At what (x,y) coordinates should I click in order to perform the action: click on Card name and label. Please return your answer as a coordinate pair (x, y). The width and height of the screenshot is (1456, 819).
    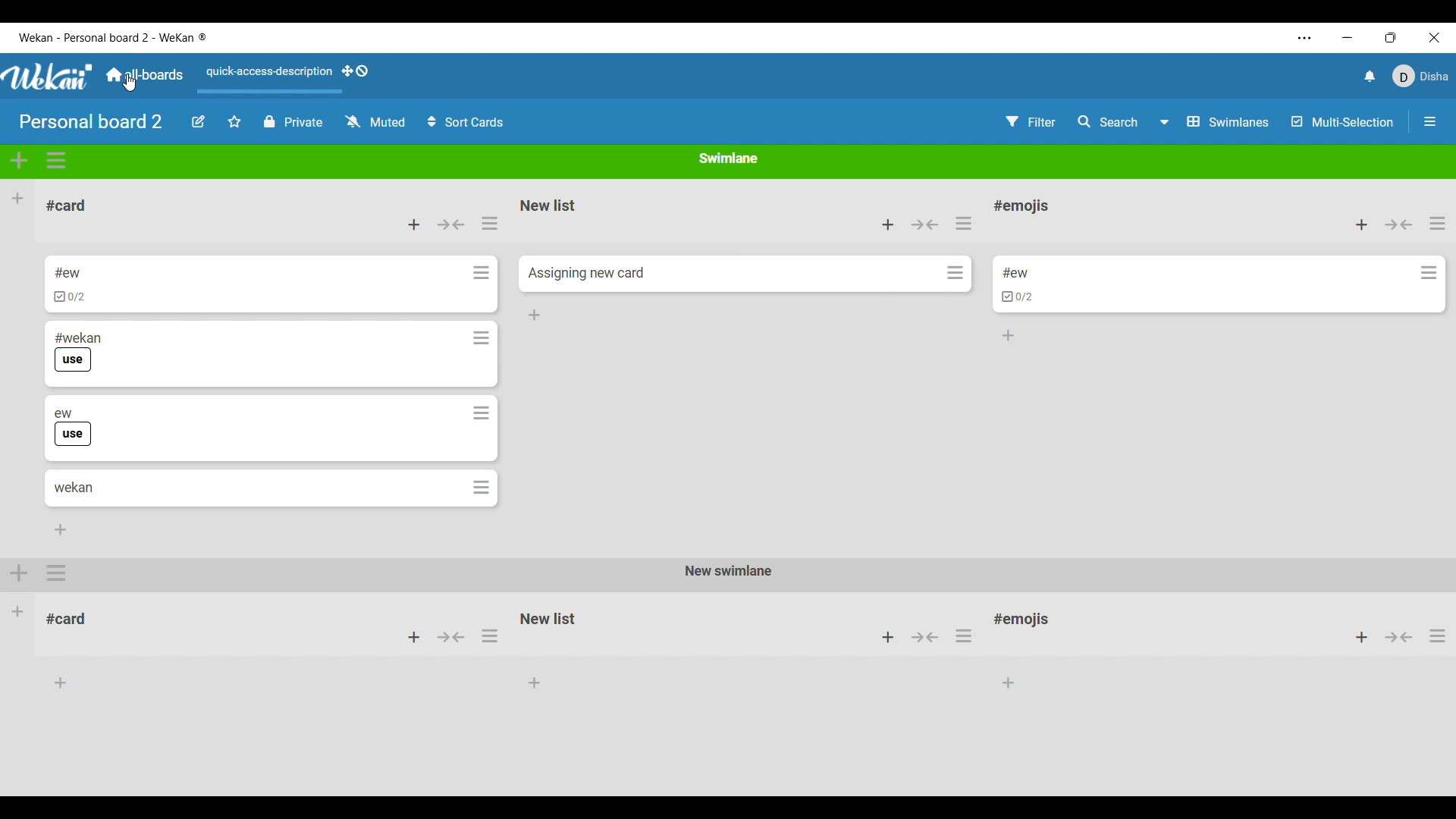
    Looking at the image, I should click on (74, 428).